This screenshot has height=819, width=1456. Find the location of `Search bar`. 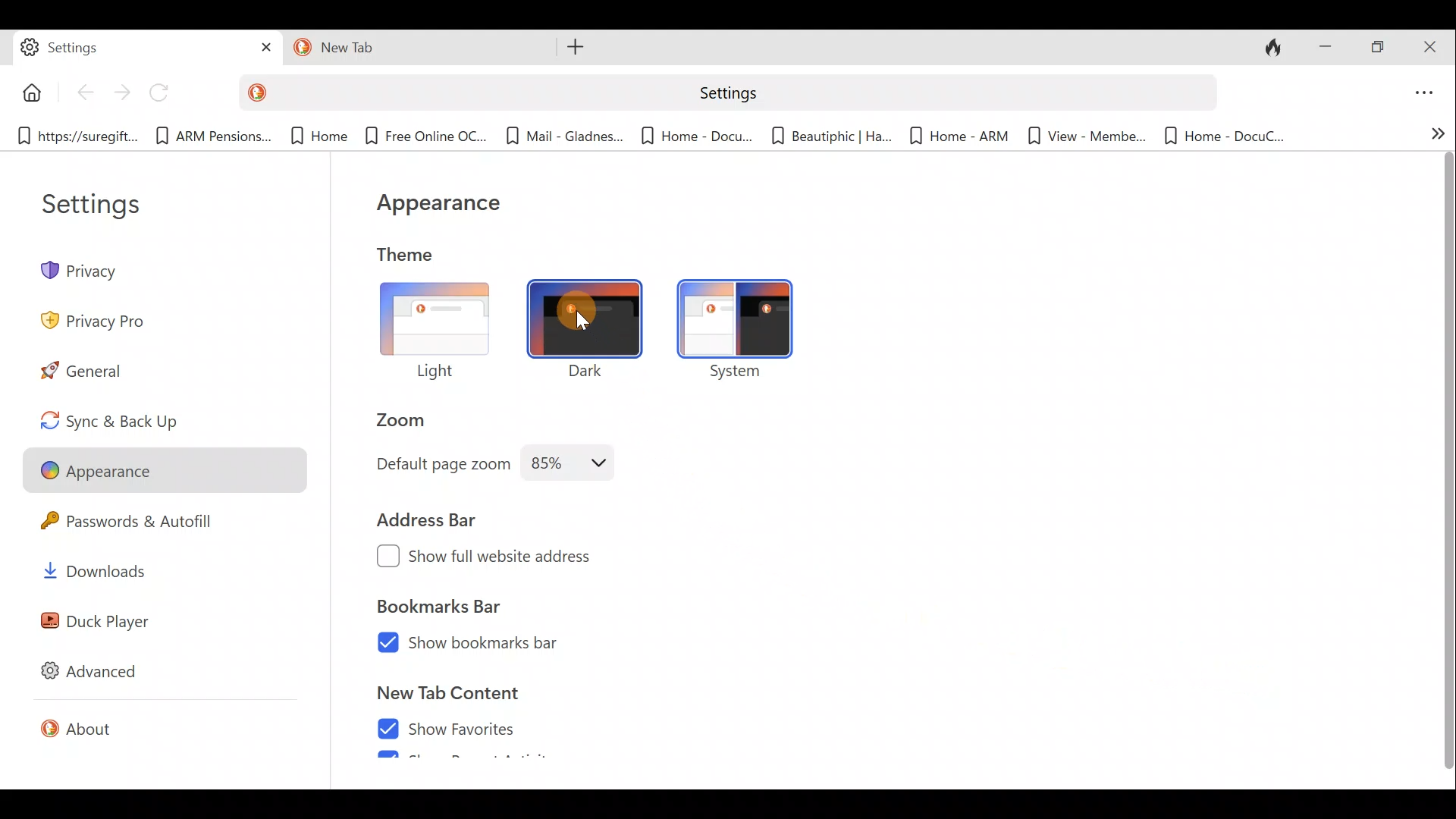

Search bar is located at coordinates (767, 93).